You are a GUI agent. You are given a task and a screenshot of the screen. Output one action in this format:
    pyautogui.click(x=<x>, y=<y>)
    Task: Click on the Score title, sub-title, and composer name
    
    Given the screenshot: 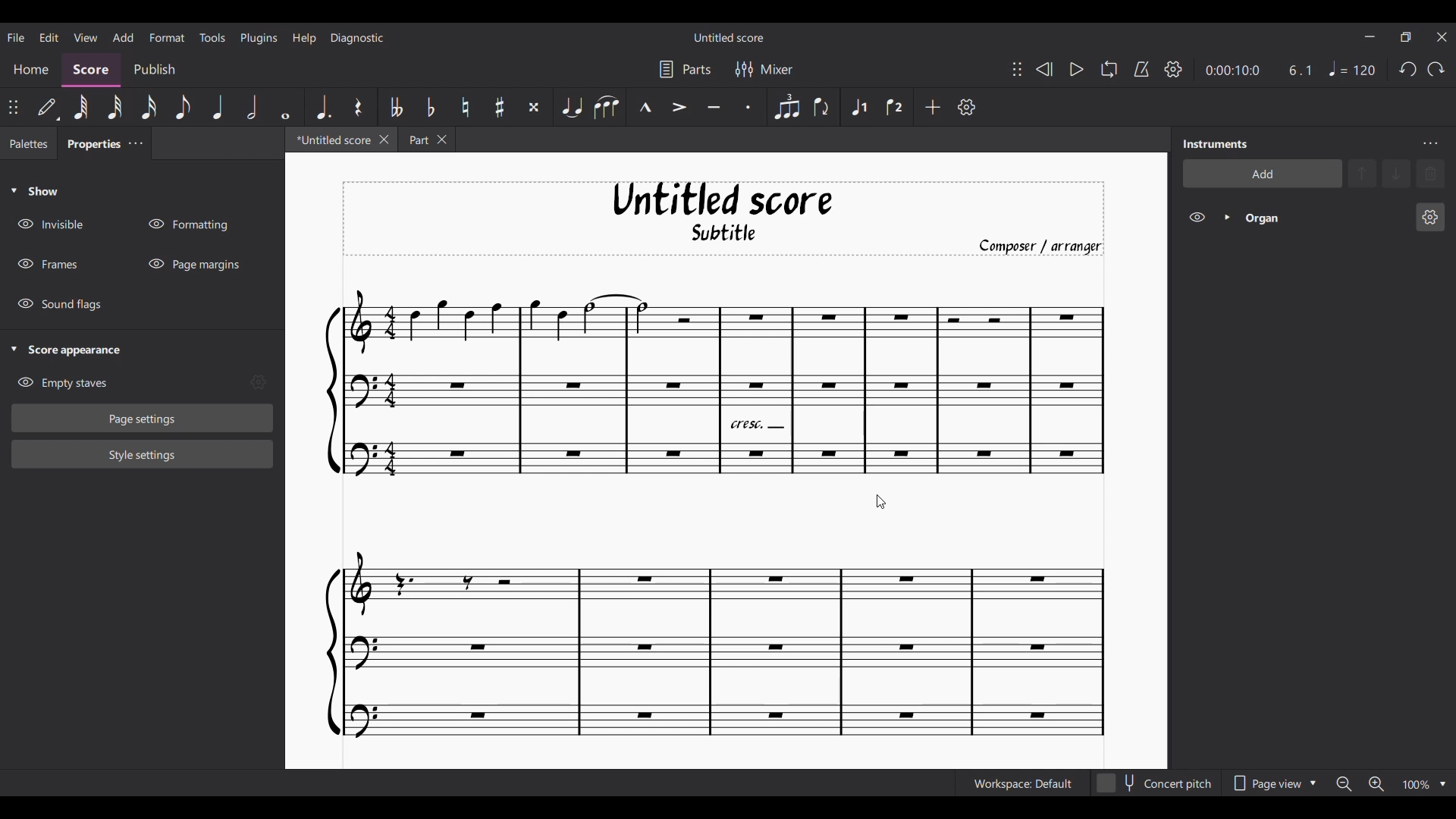 What is the action you would take?
    pyautogui.click(x=723, y=219)
    